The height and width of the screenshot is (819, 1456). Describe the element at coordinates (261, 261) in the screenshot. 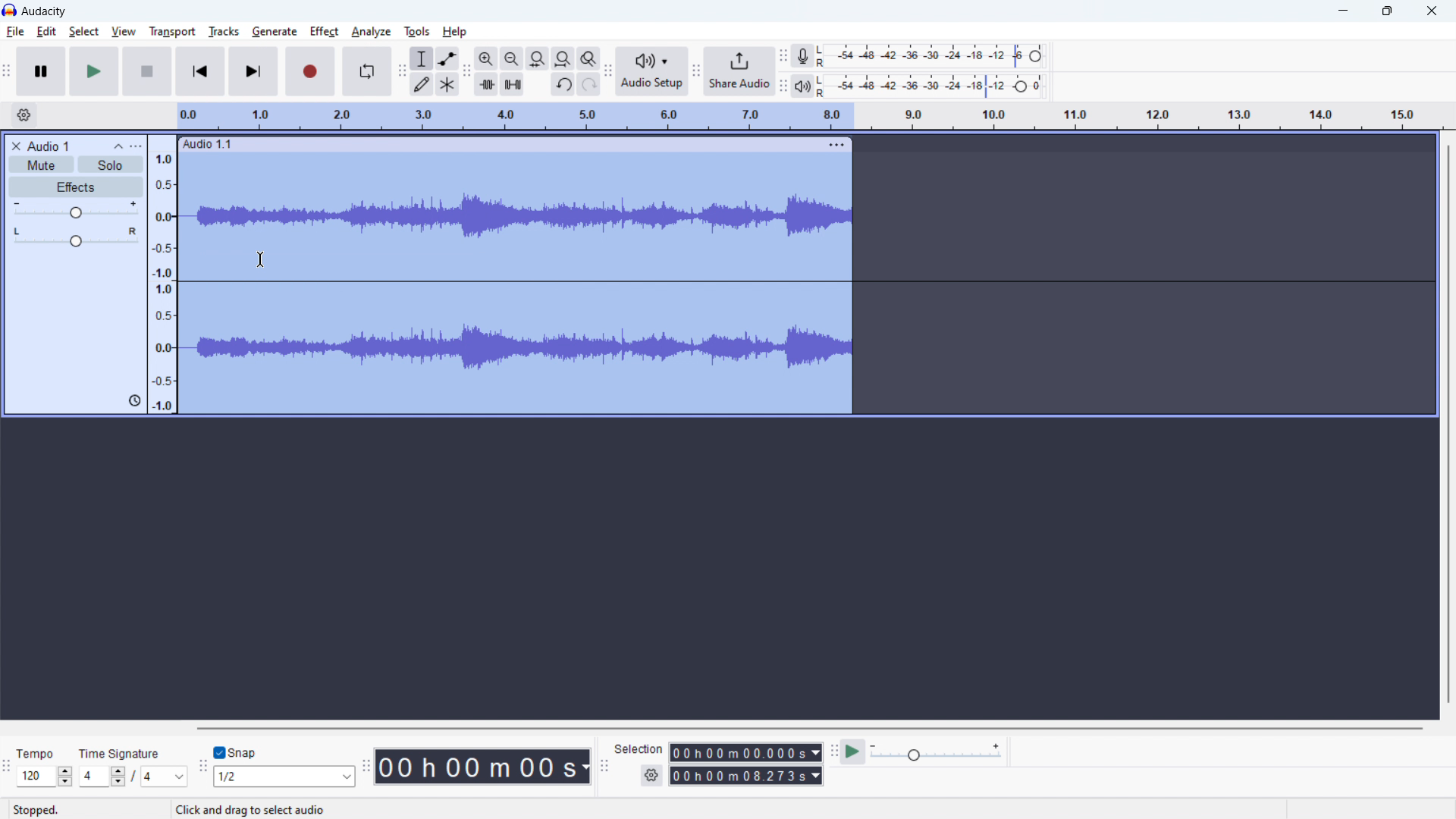

I see `cursor` at that location.